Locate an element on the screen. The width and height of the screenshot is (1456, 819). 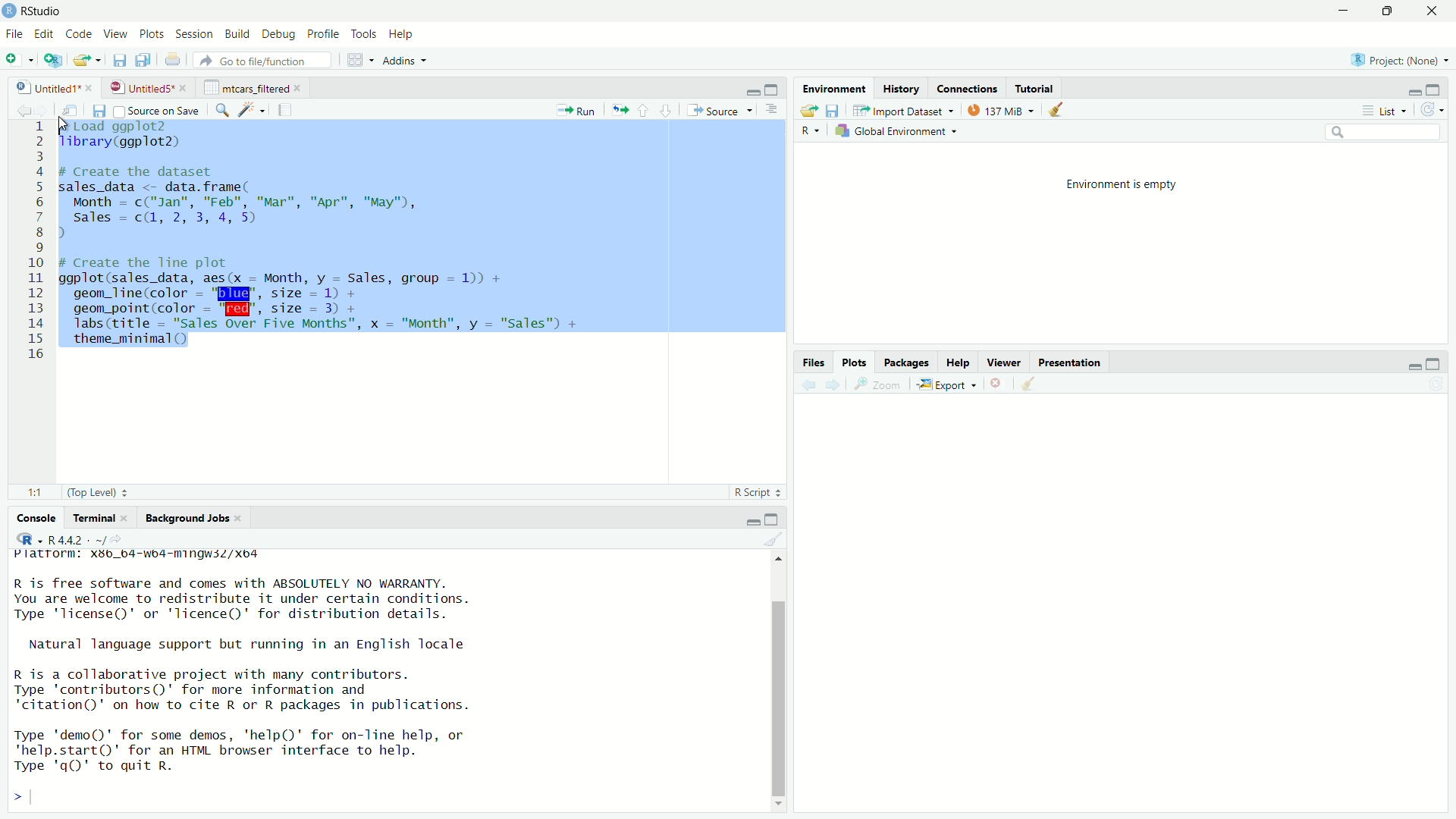
next code section is located at coordinates (667, 110).